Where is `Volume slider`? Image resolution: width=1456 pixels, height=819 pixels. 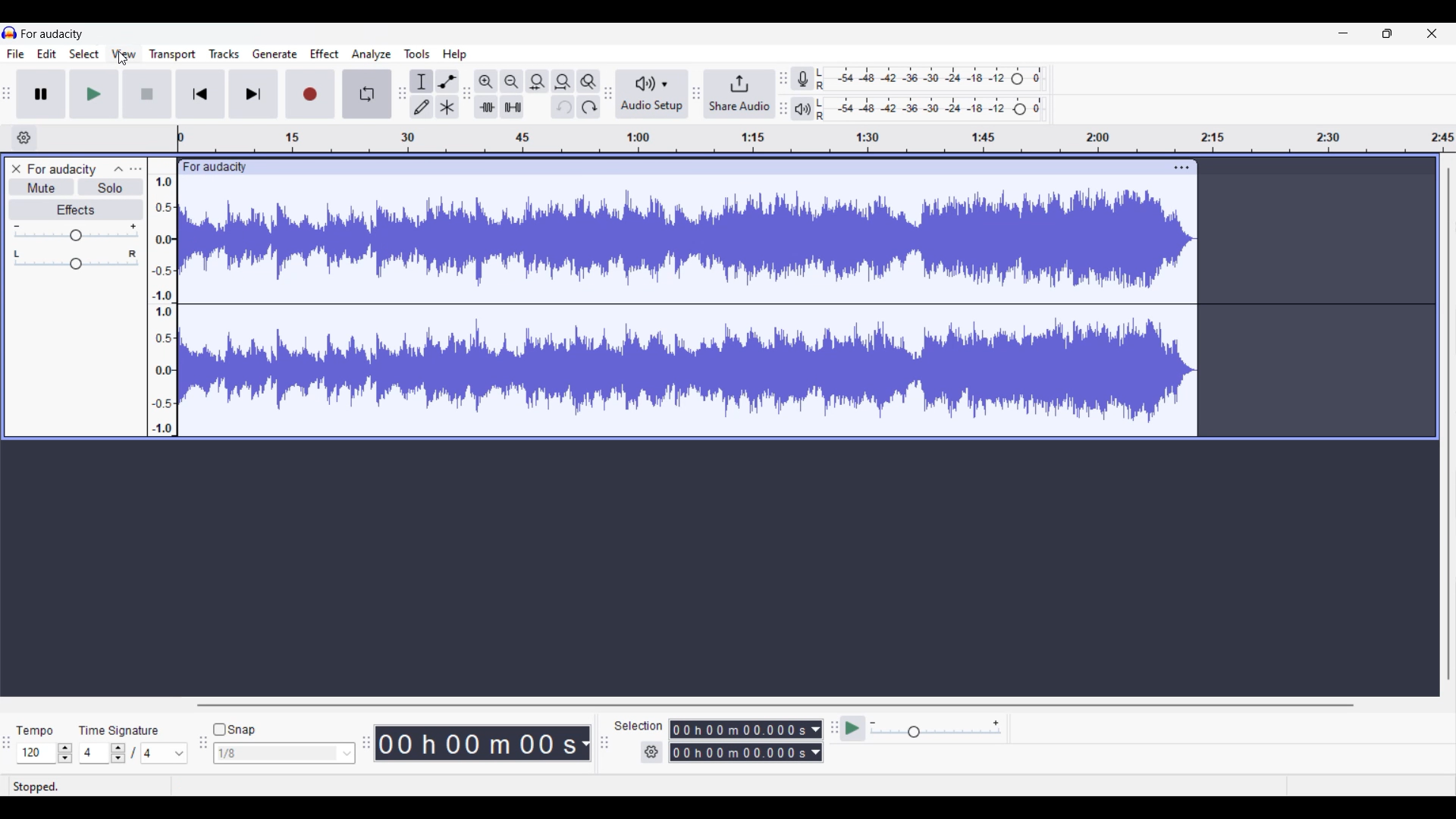
Volume slider is located at coordinates (77, 232).